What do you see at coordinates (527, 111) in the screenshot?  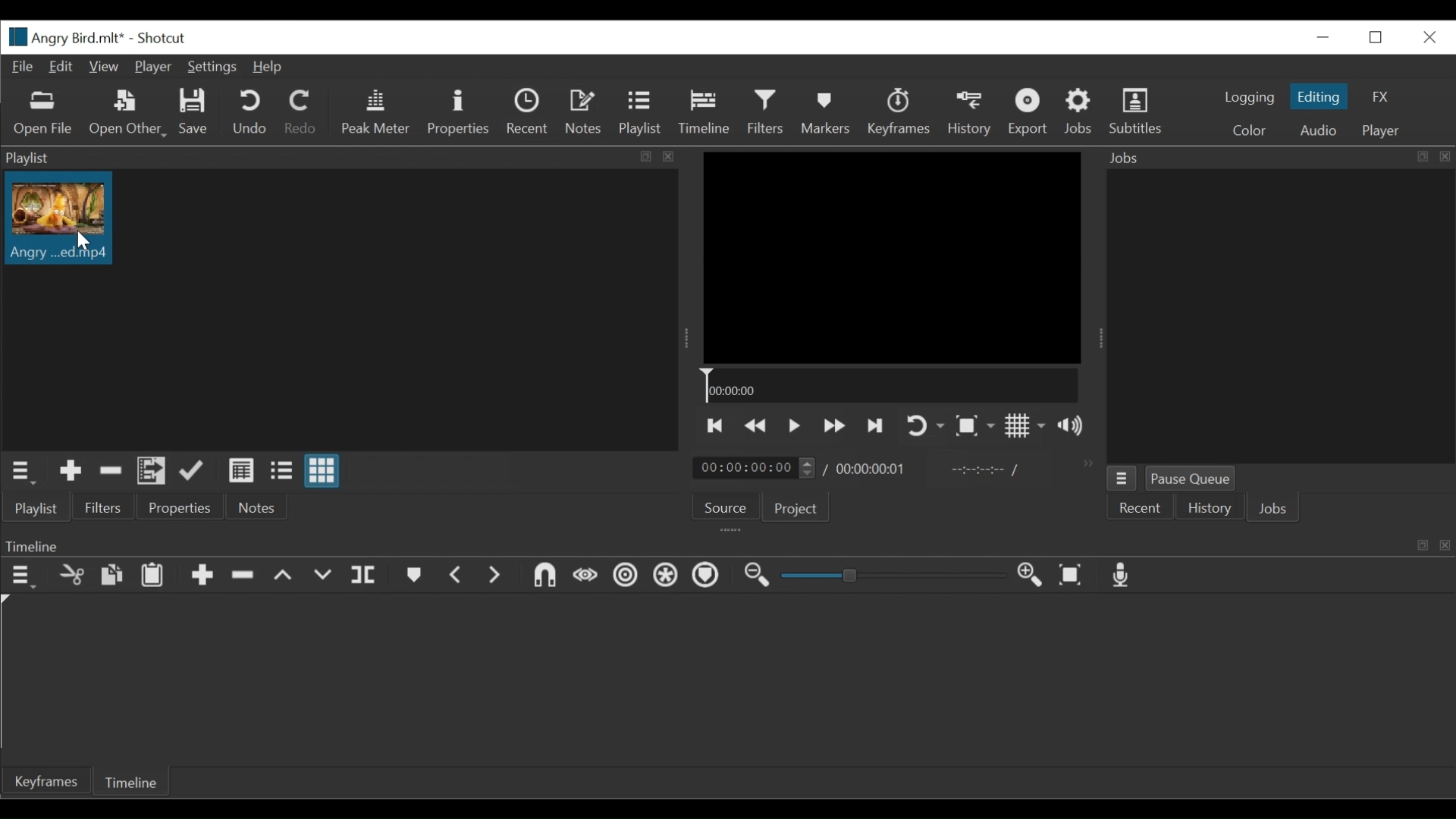 I see `Recent` at bounding box center [527, 111].